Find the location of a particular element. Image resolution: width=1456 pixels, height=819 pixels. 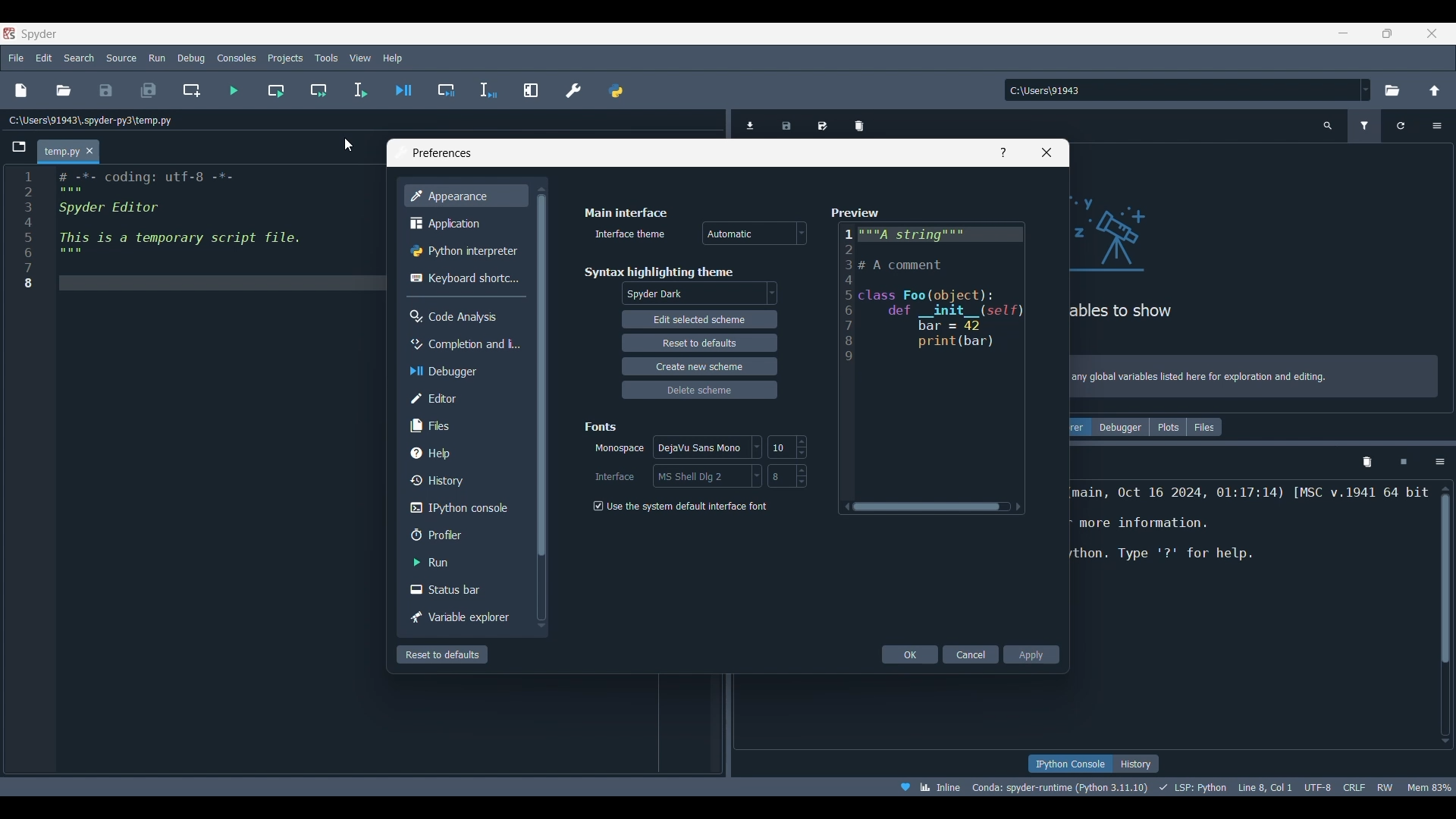

Close software is located at coordinates (1432, 33).